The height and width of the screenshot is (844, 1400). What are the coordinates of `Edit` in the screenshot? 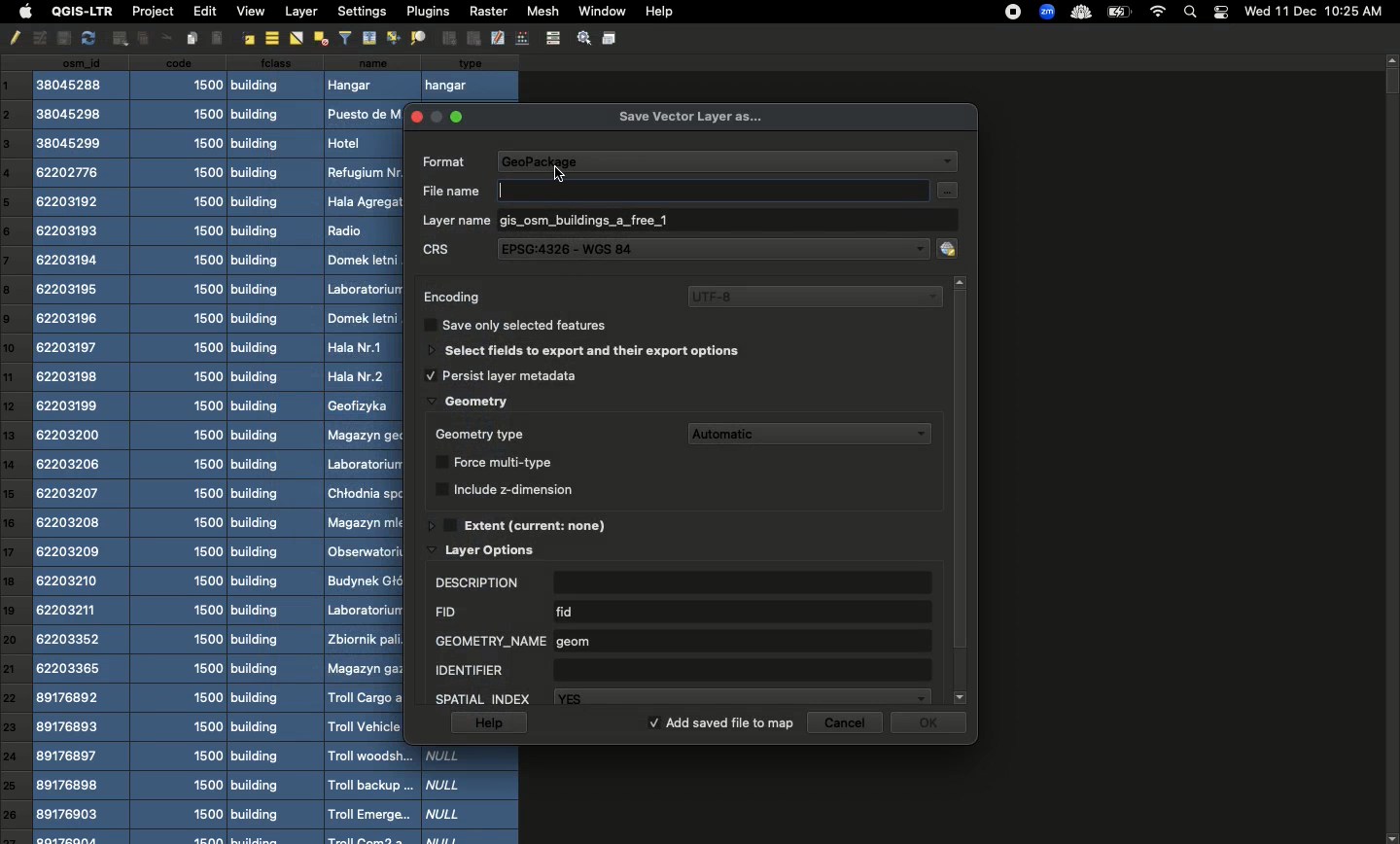 It's located at (202, 11).